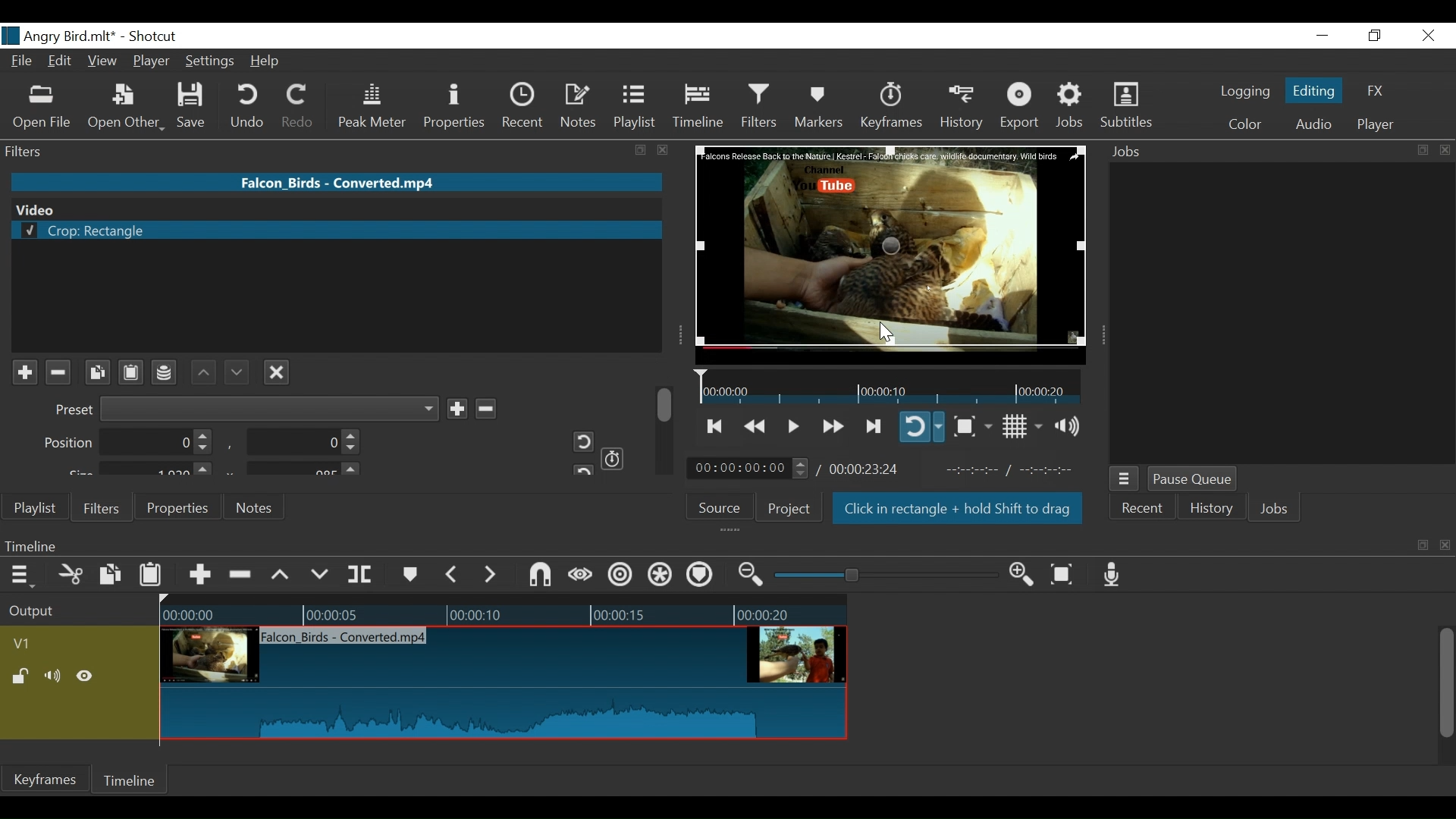 The height and width of the screenshot is (819, 1456). Describe the element at coordinates (1447, 546) in the screenshot. I see `close` at that location.